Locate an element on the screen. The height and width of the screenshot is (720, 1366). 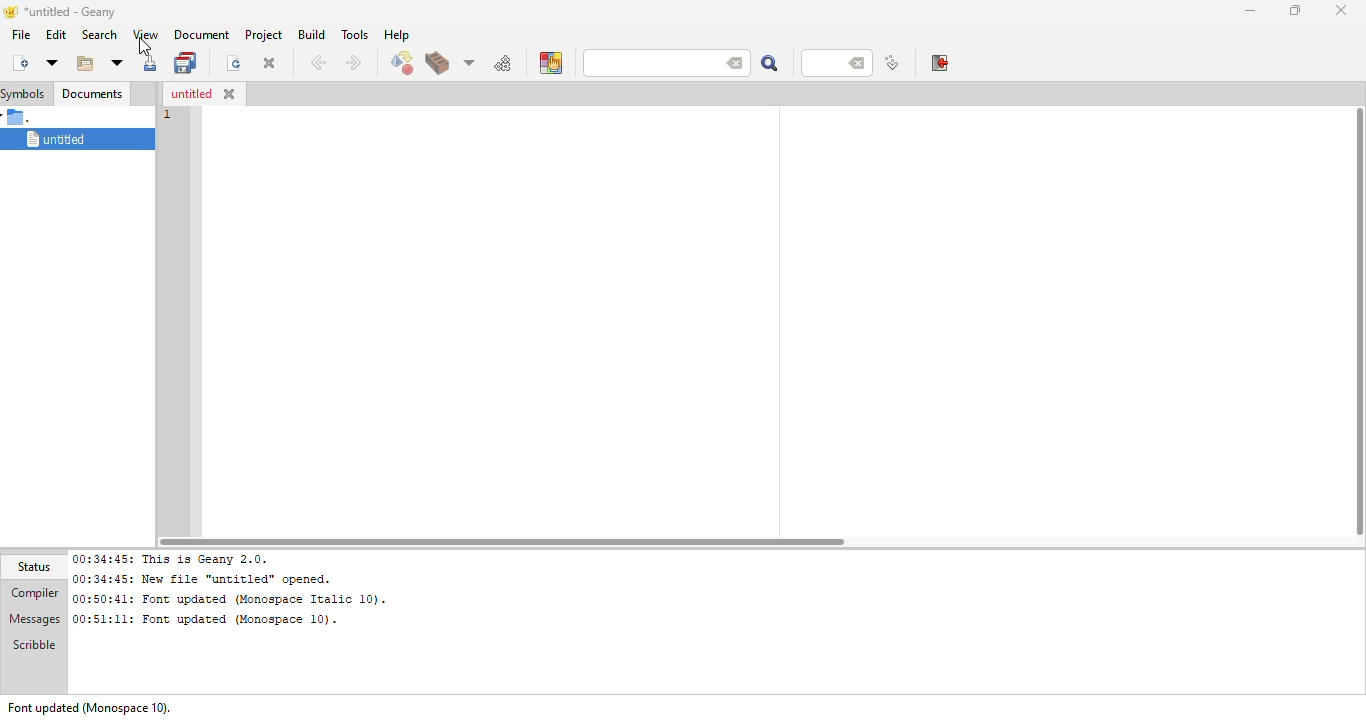
*untitled - geany is located at coordinates (80, 12).